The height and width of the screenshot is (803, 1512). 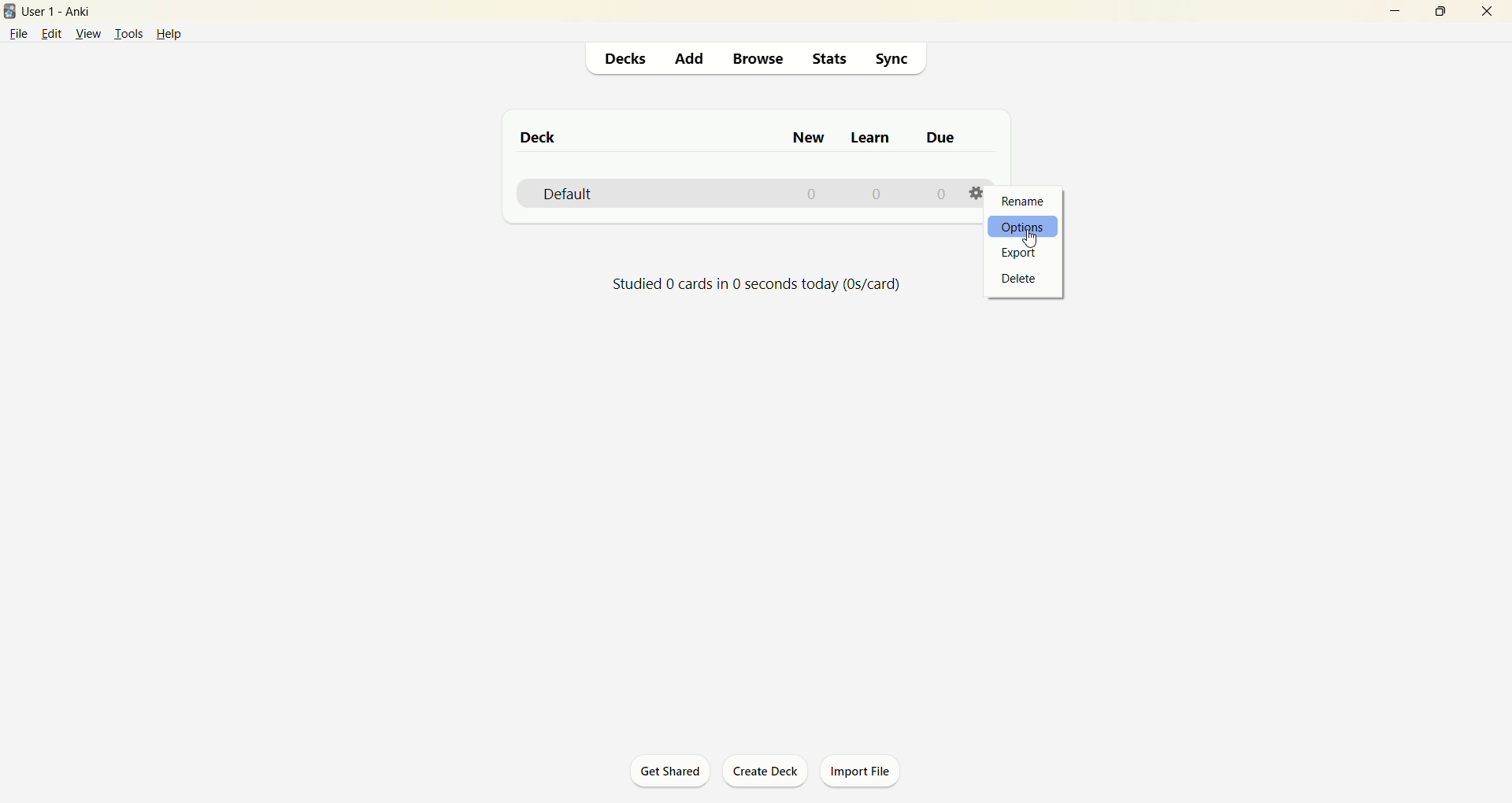 I want to click on default, so click(x=569, y=195).